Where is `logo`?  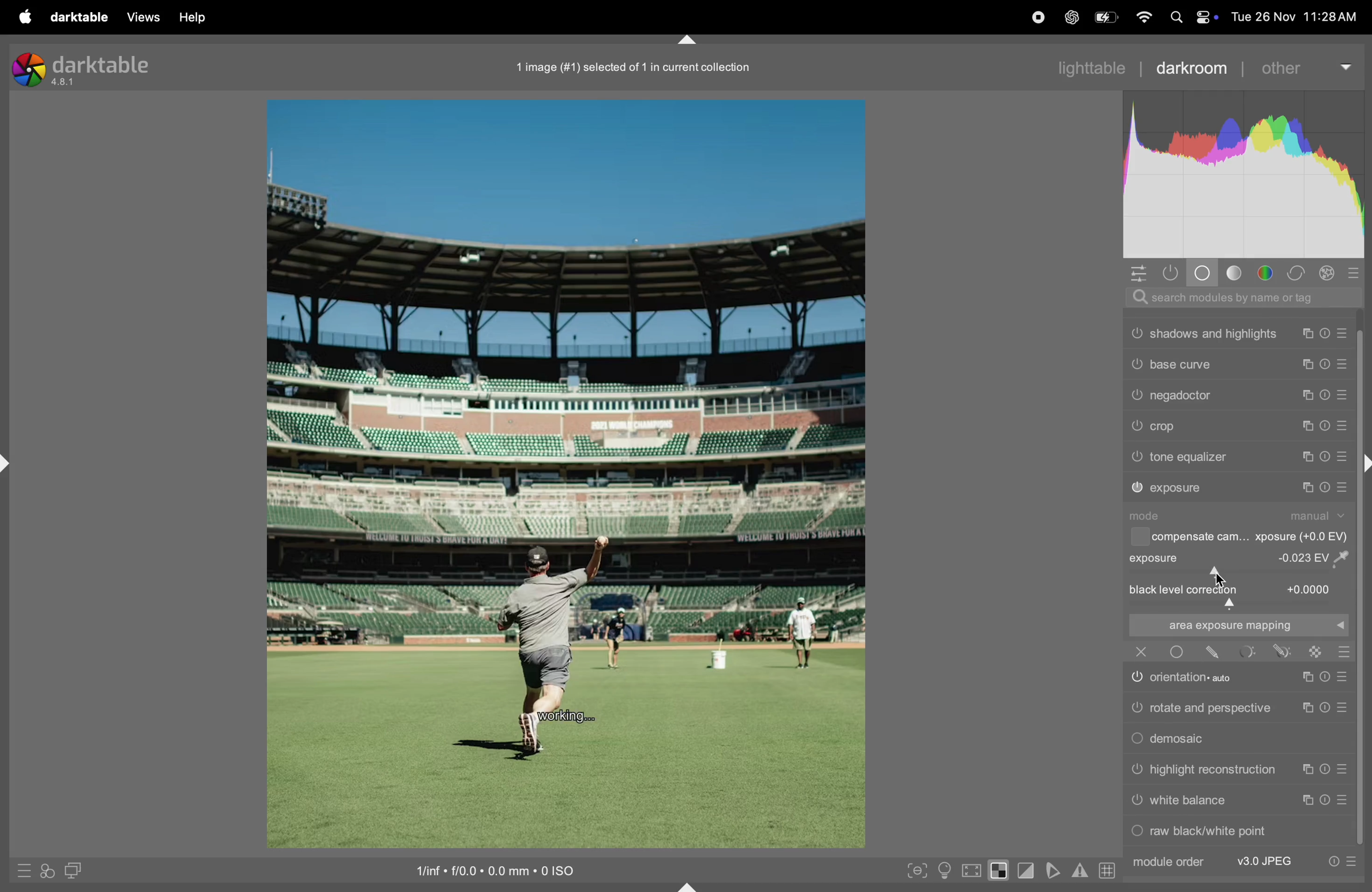
logo is located at coordinates (28, 70).